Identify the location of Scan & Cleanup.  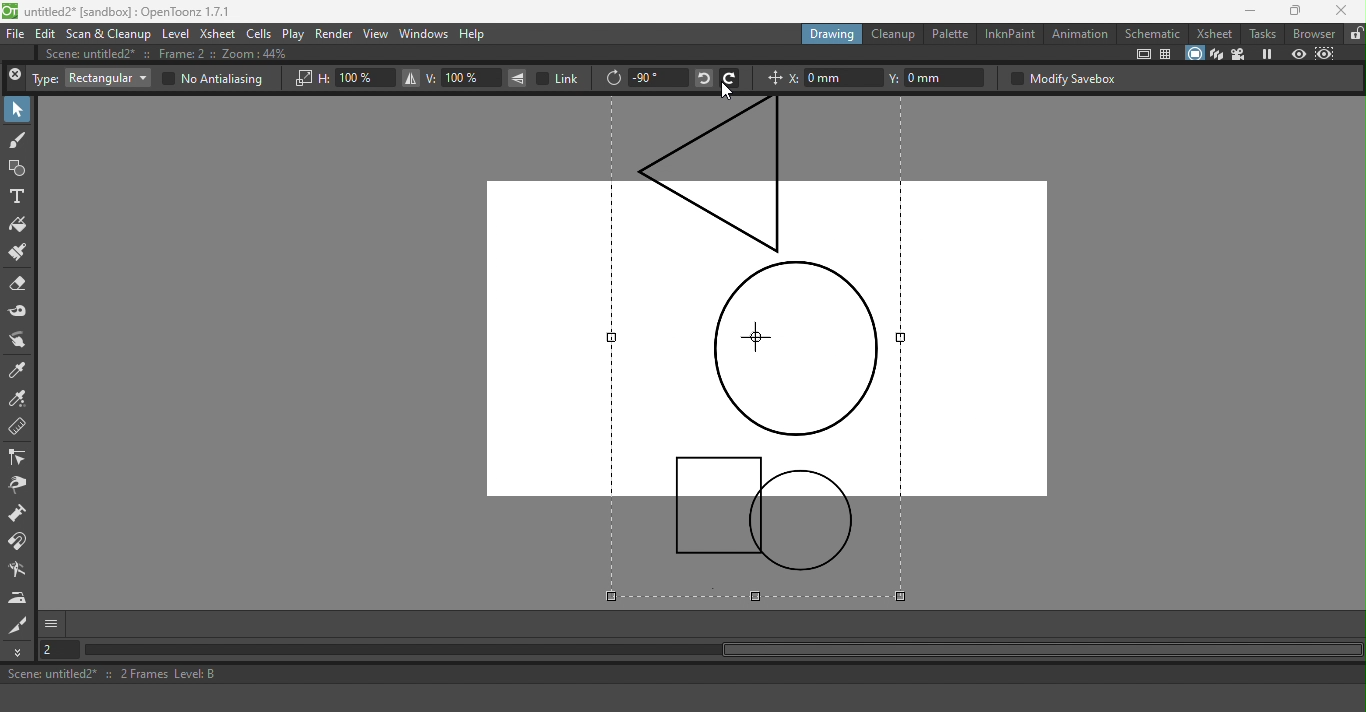
(109, 35).